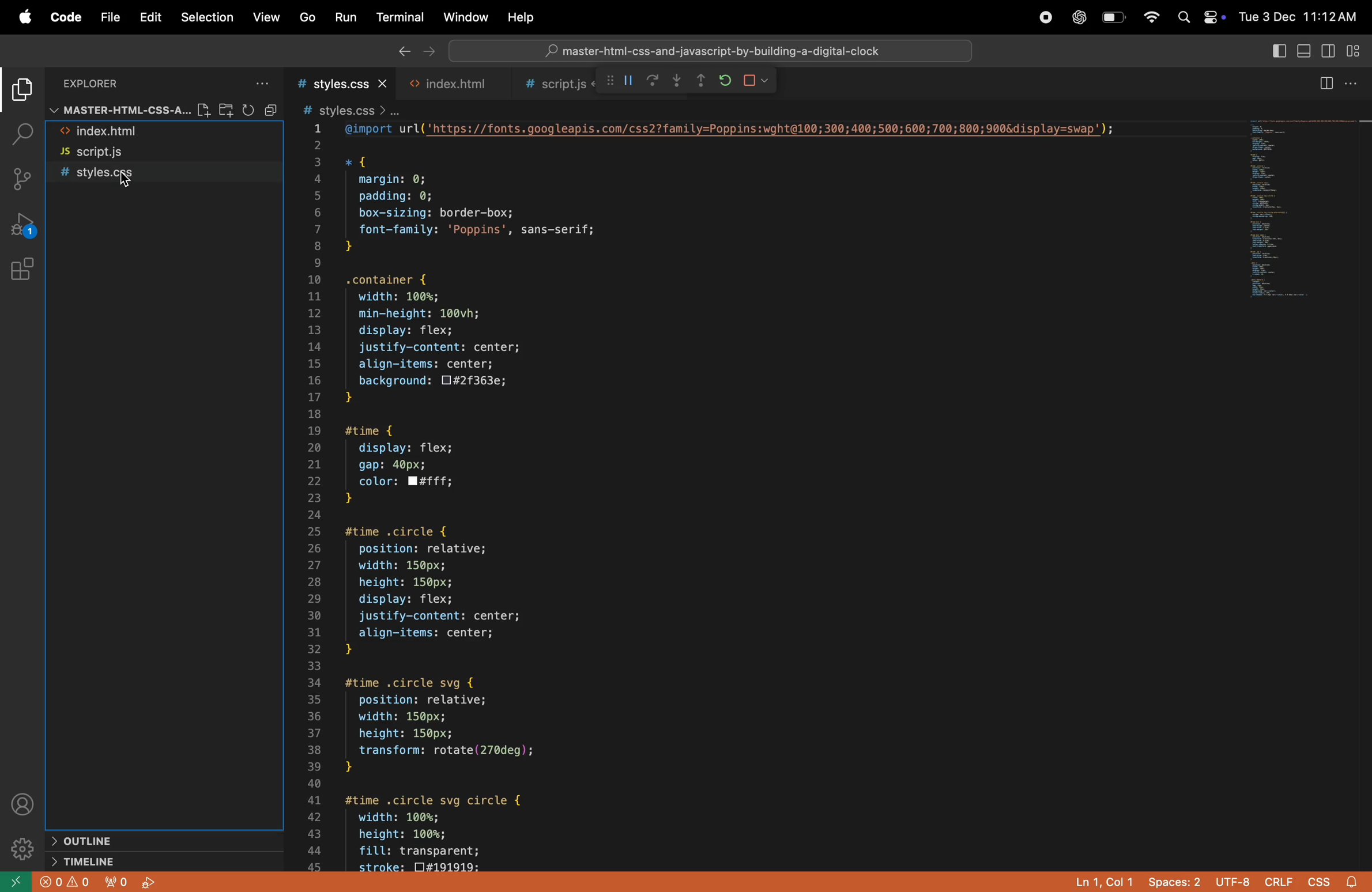 The image size is (1372, 892). I want to click on preview window, so click(1308, 209).